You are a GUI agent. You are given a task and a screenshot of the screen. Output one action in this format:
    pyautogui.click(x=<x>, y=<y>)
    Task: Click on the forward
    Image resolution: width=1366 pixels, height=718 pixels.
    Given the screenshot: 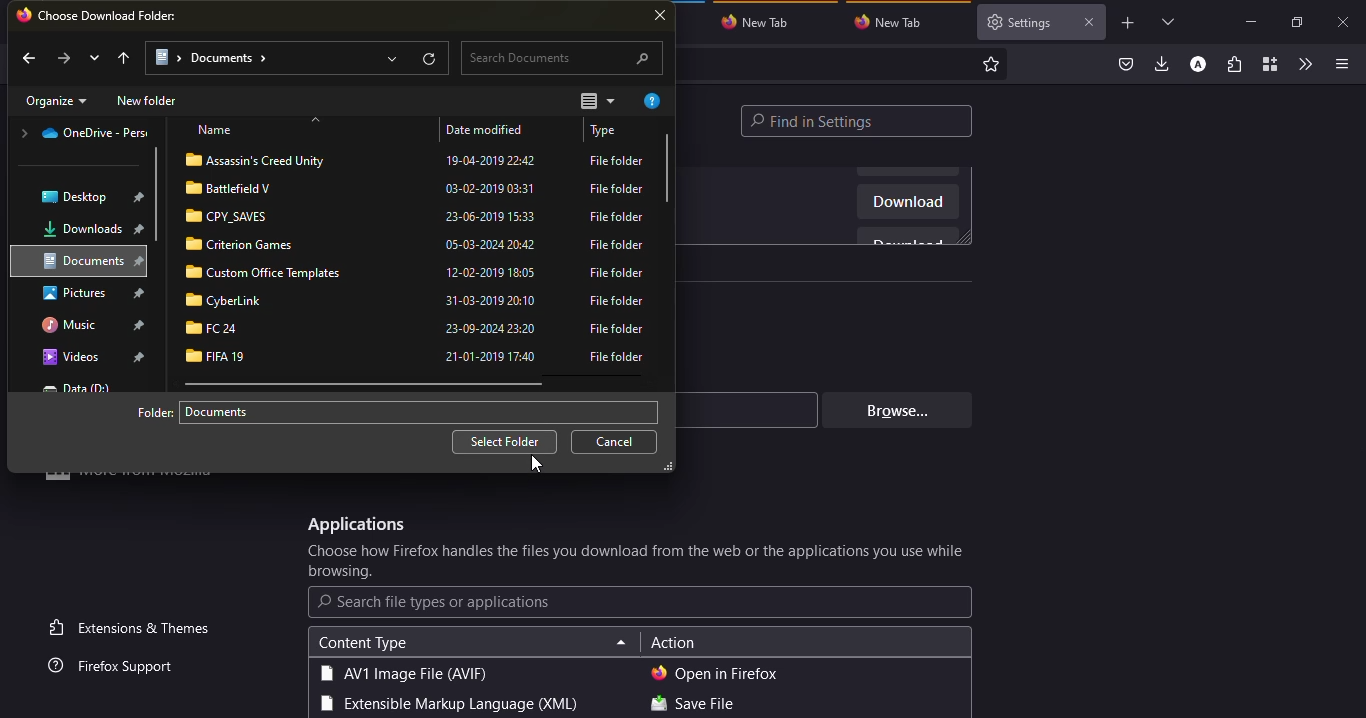 What is the action you would take?
    pyautogui.click(x=63, y=57)
    